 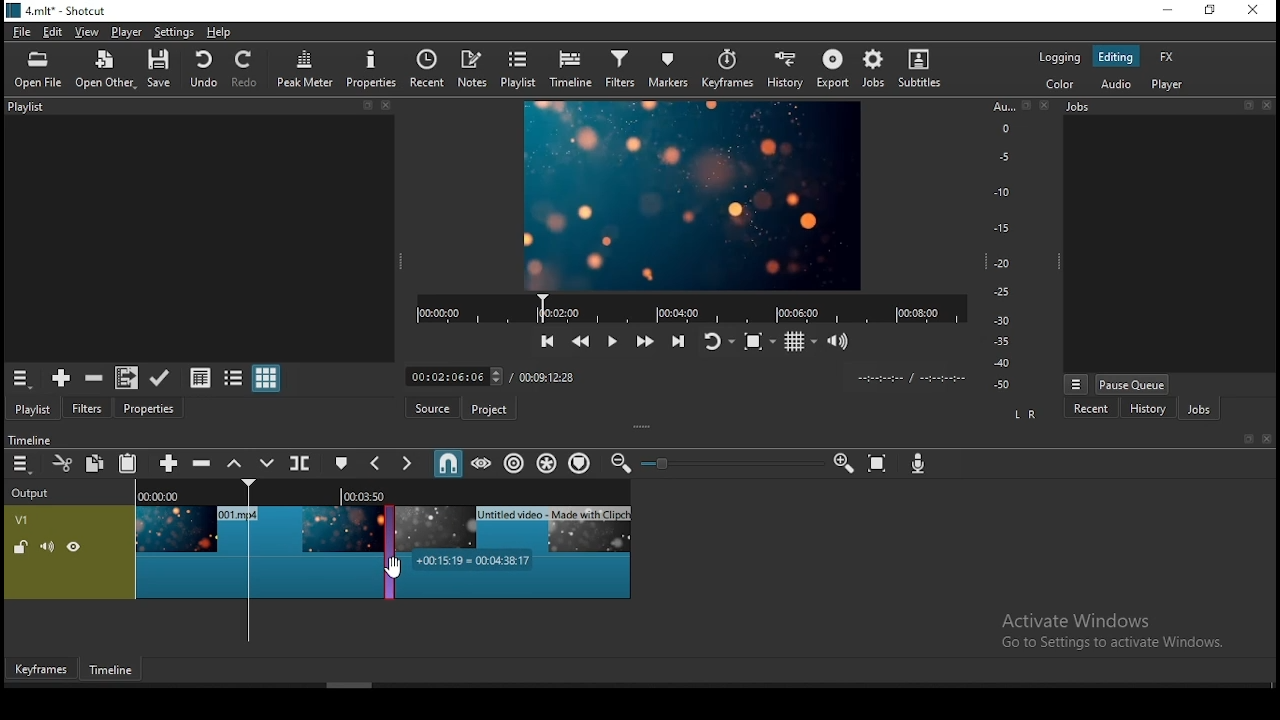 What do you see at coordinates (123, 378) in the screenshot?
I see `add files to playlist` at bounding box center [123, 378].